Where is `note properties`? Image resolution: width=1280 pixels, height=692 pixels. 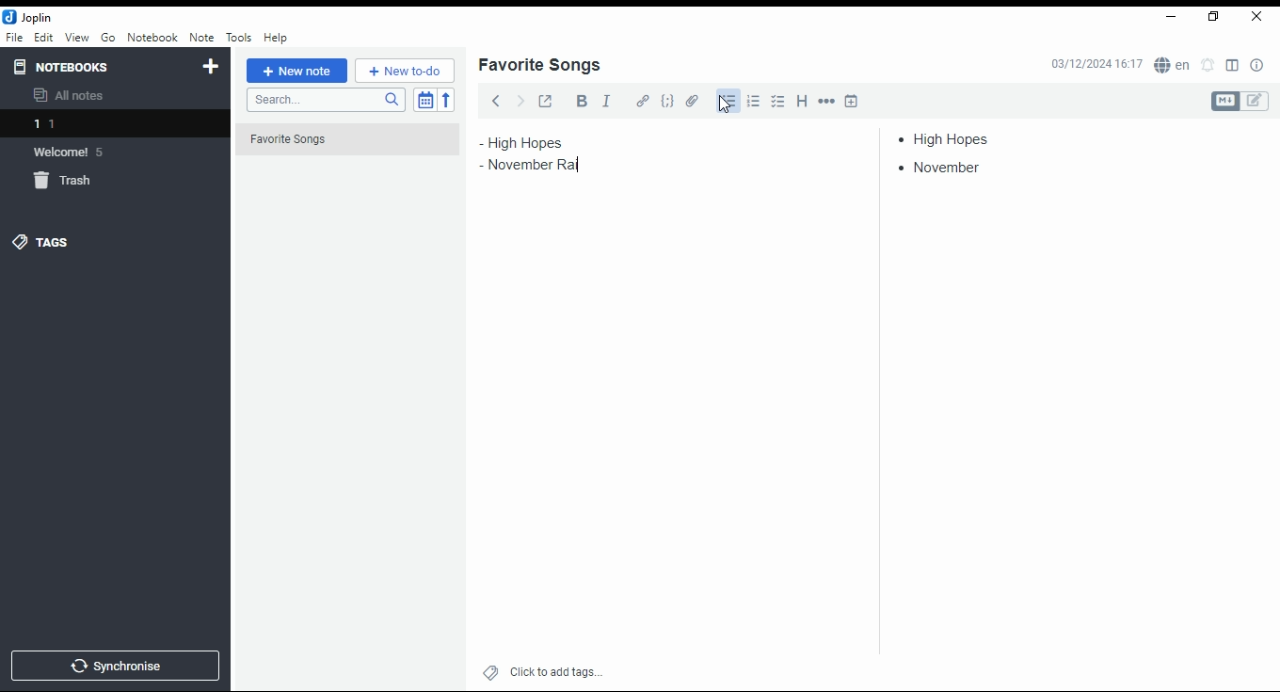 note properties is located at coordinates (1258, 66).